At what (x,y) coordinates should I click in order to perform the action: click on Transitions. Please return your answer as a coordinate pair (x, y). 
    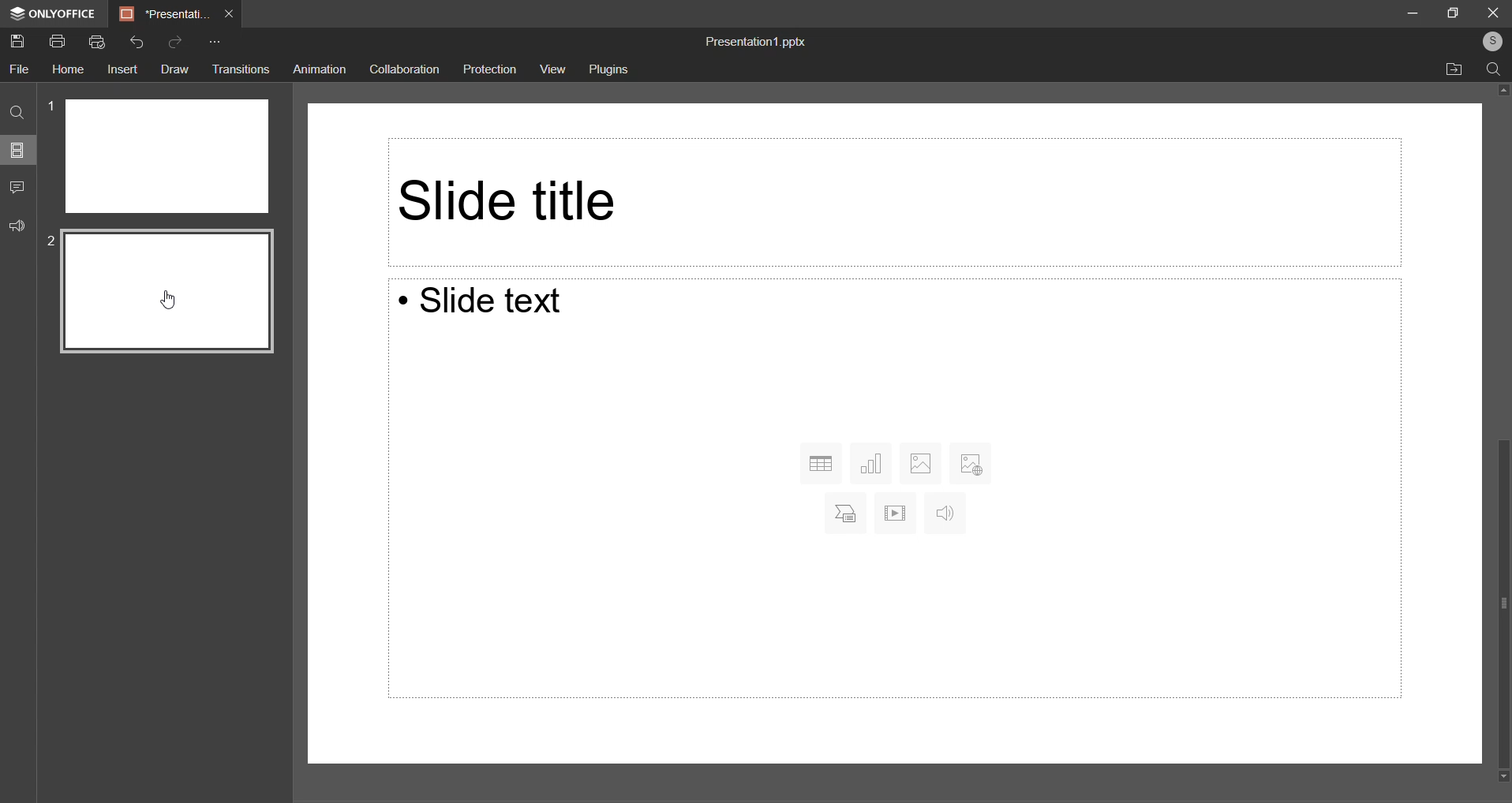
    Looking at the image, I should click on (240, 69).